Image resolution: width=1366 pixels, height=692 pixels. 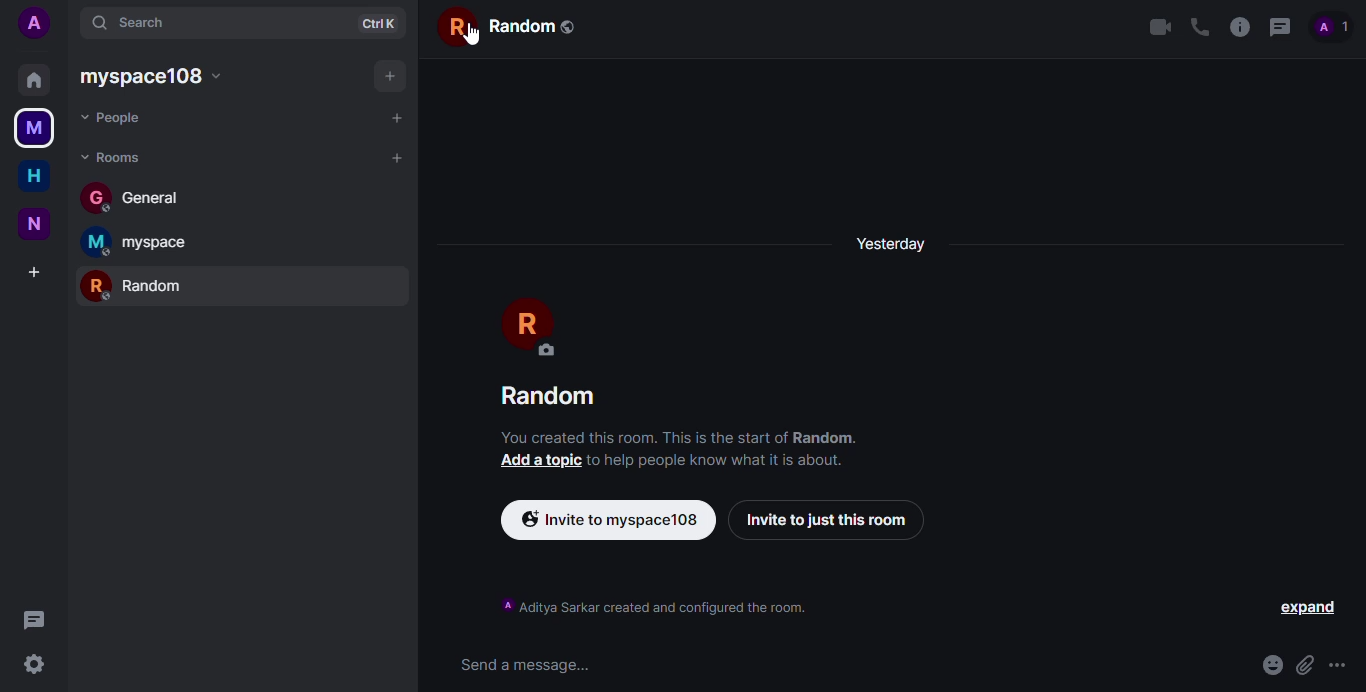 What do you see at coordinates (113, 156) in the screenshot?
I see `rooms` at bounding box center [113, 156].